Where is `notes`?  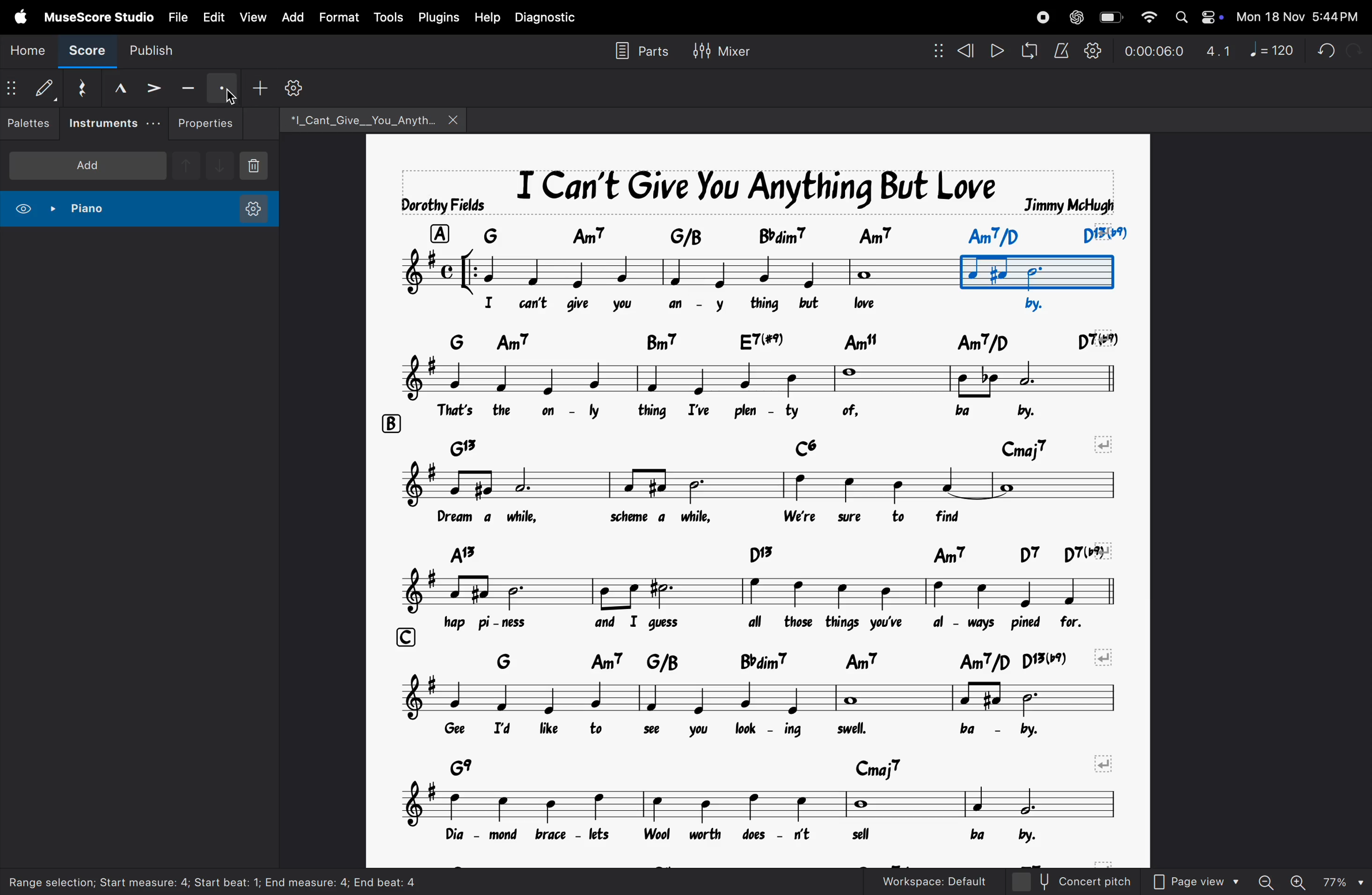 notes is located at coordinates (767, 379).